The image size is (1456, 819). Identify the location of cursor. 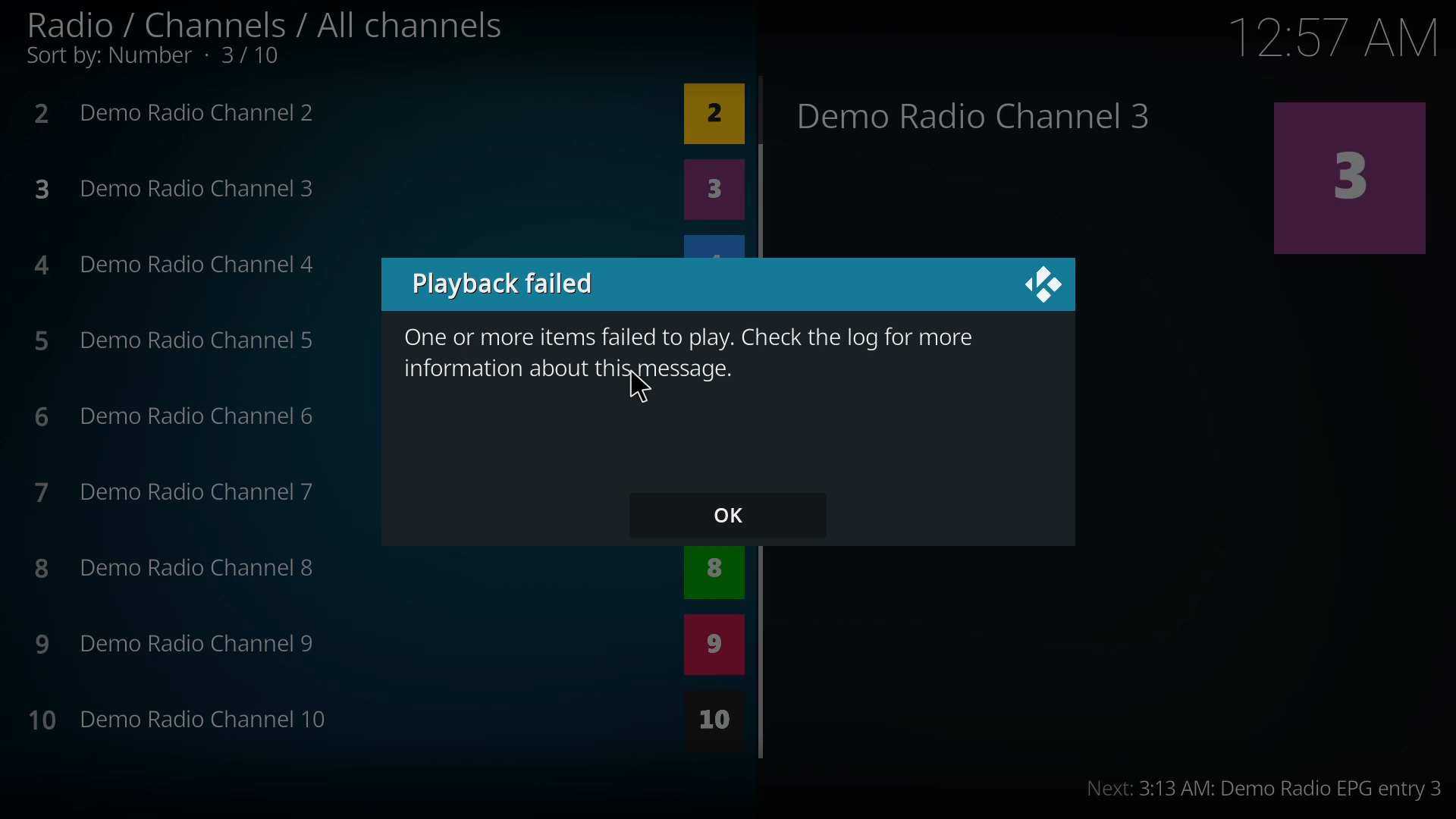
(643, 388).